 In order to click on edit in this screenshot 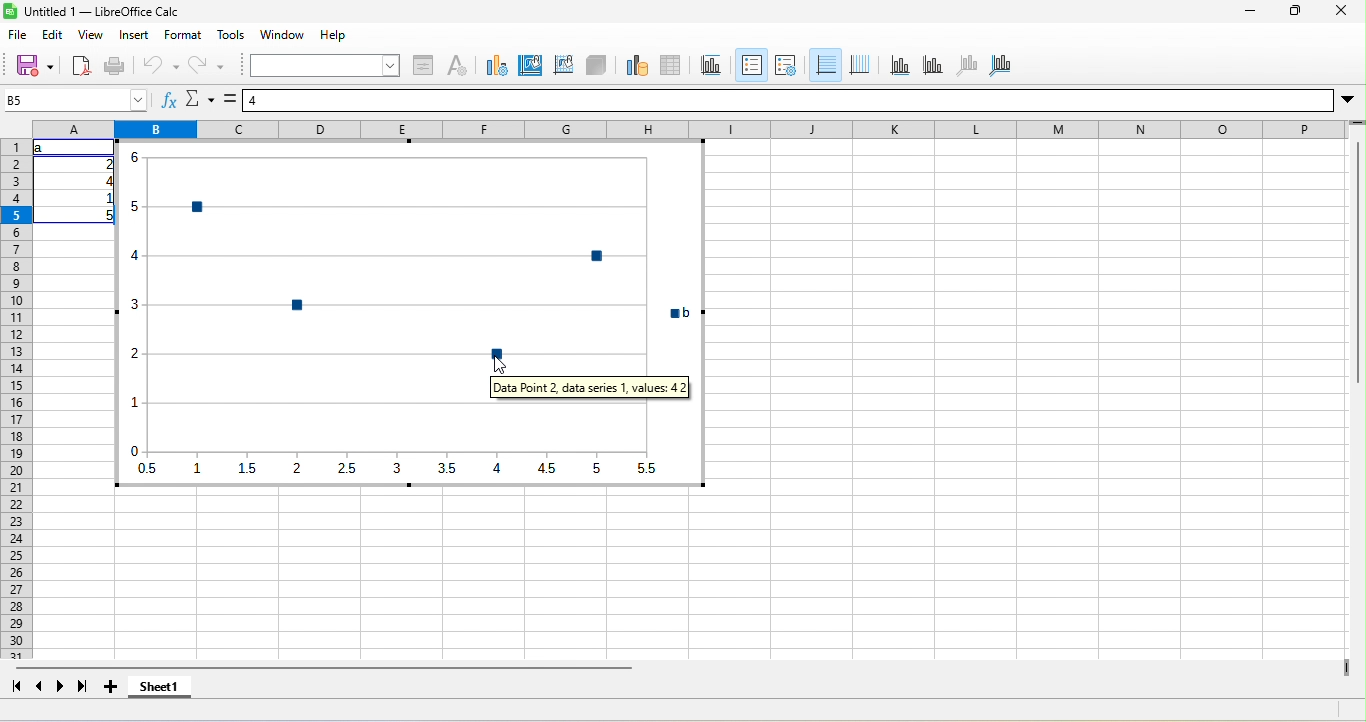, I will do `click(53, 35)`.